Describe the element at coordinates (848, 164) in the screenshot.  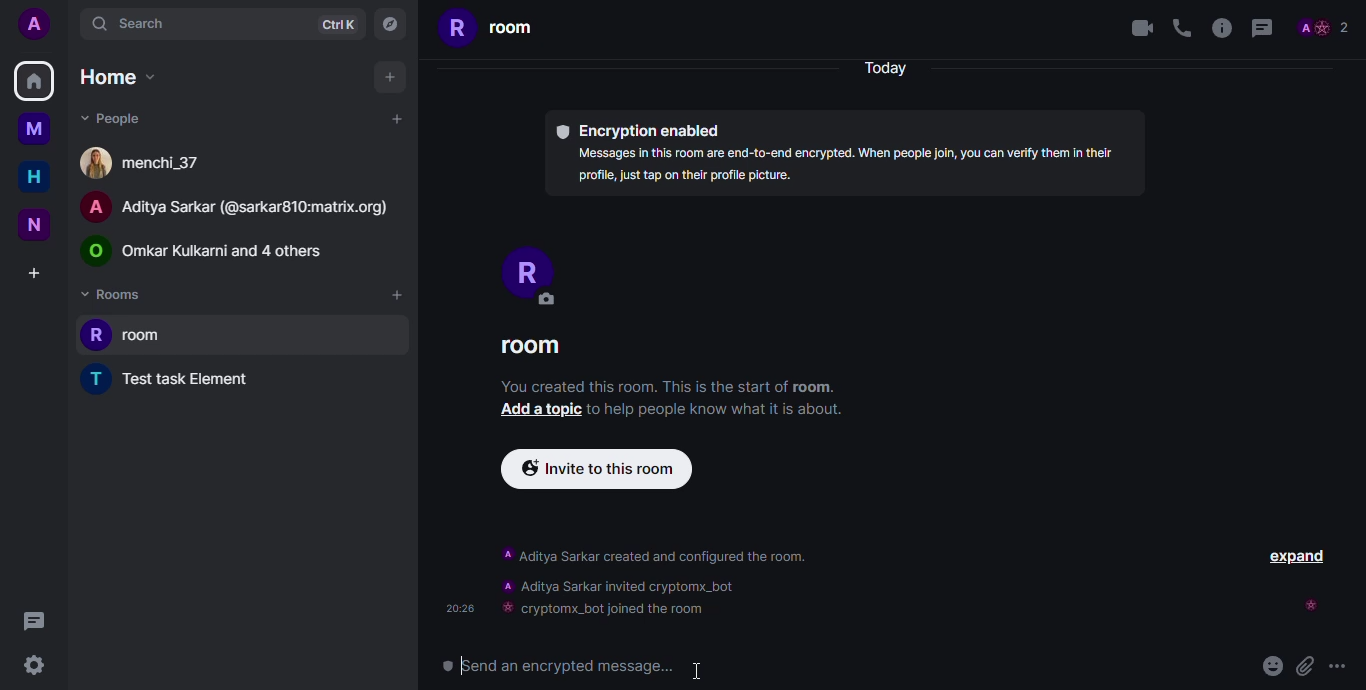
I see `Messages in the room are end-to-end encrypted. When people join, you can verify them in their profile, just tap on their profile.` at that location.